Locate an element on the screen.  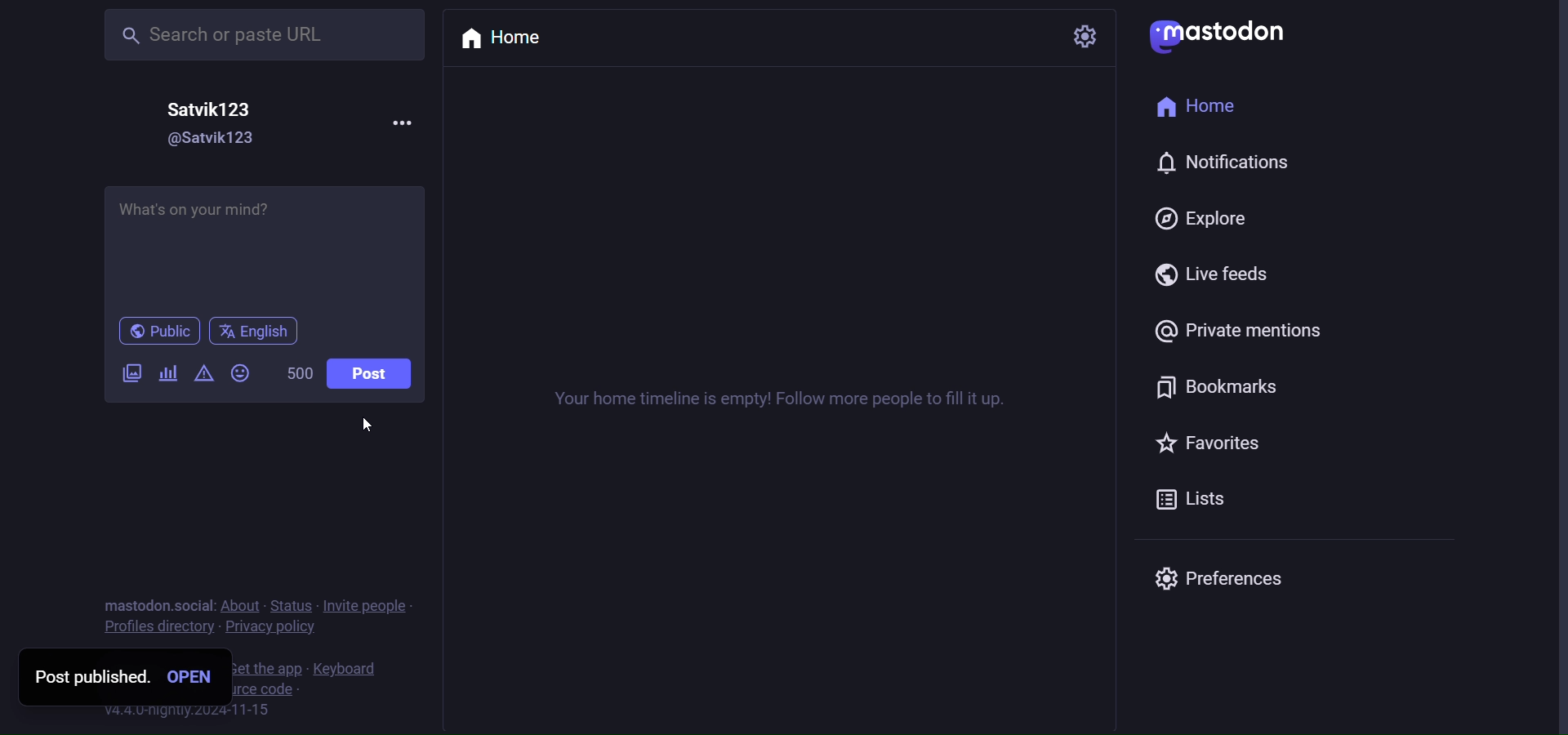
add a poll is located at coordinates (169, 372).